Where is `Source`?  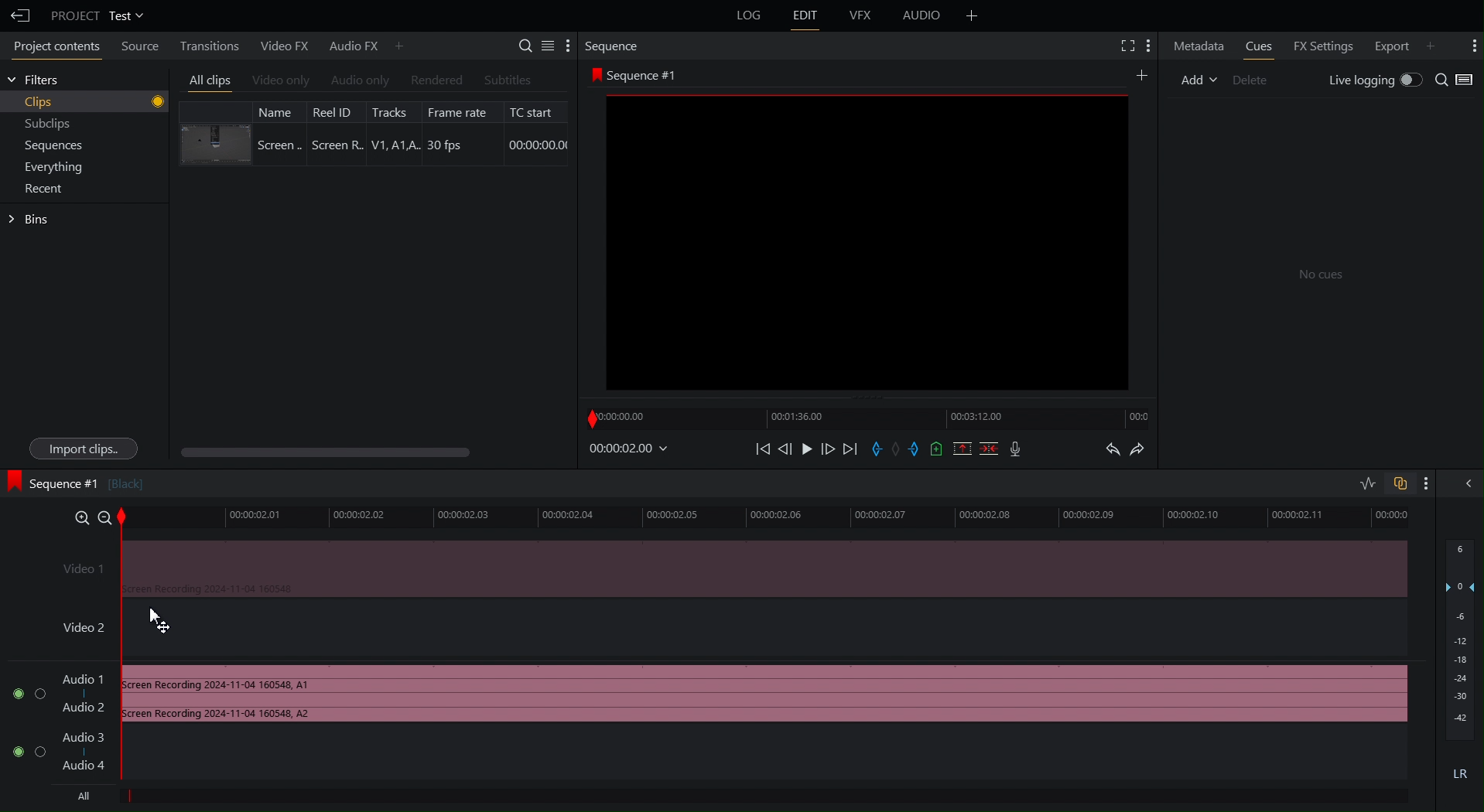
Source is located at coordinates (142, 46).